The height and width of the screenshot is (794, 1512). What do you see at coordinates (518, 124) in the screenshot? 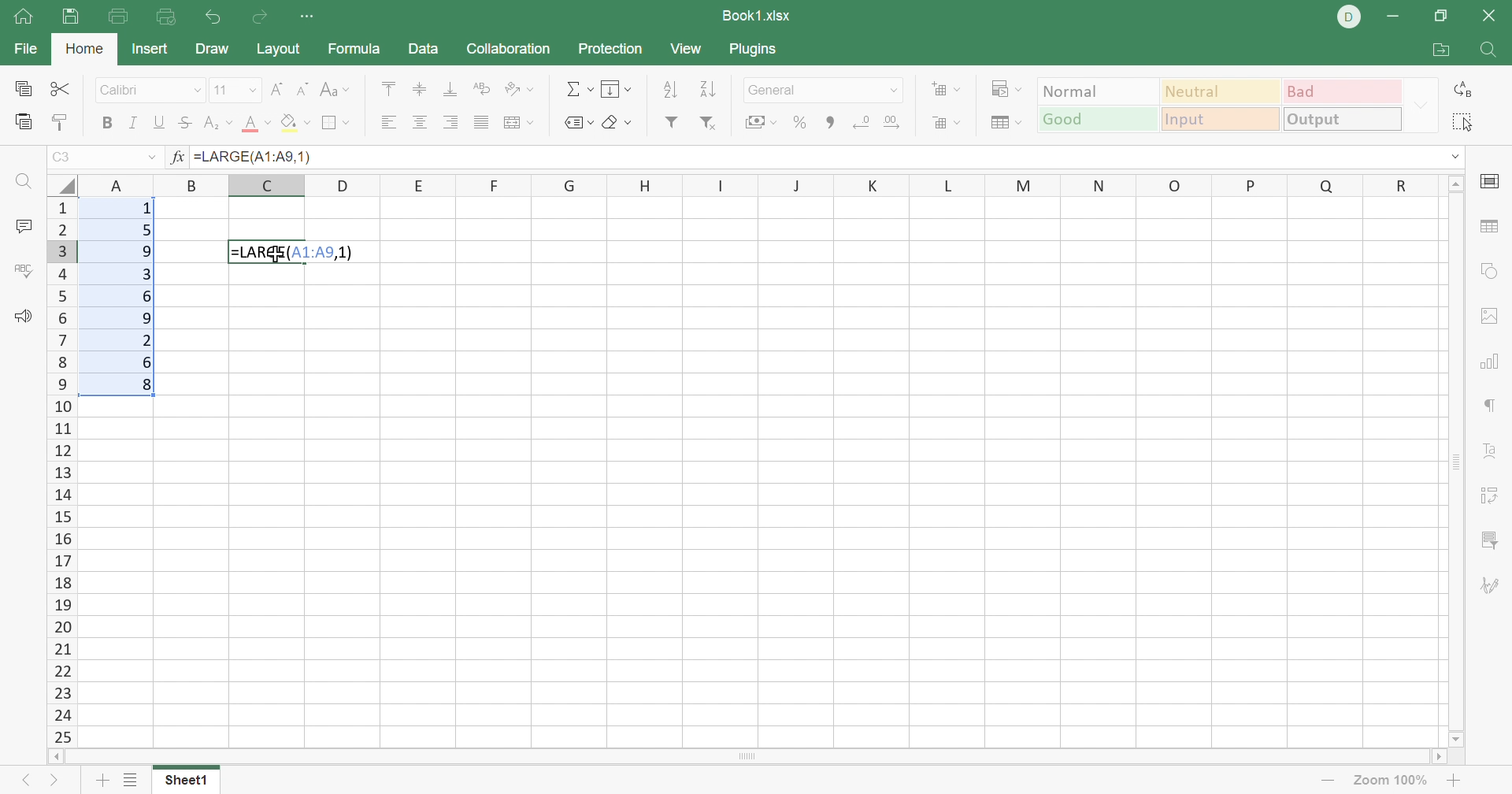
I see `Merge and center` at bounding box center [518, 124].